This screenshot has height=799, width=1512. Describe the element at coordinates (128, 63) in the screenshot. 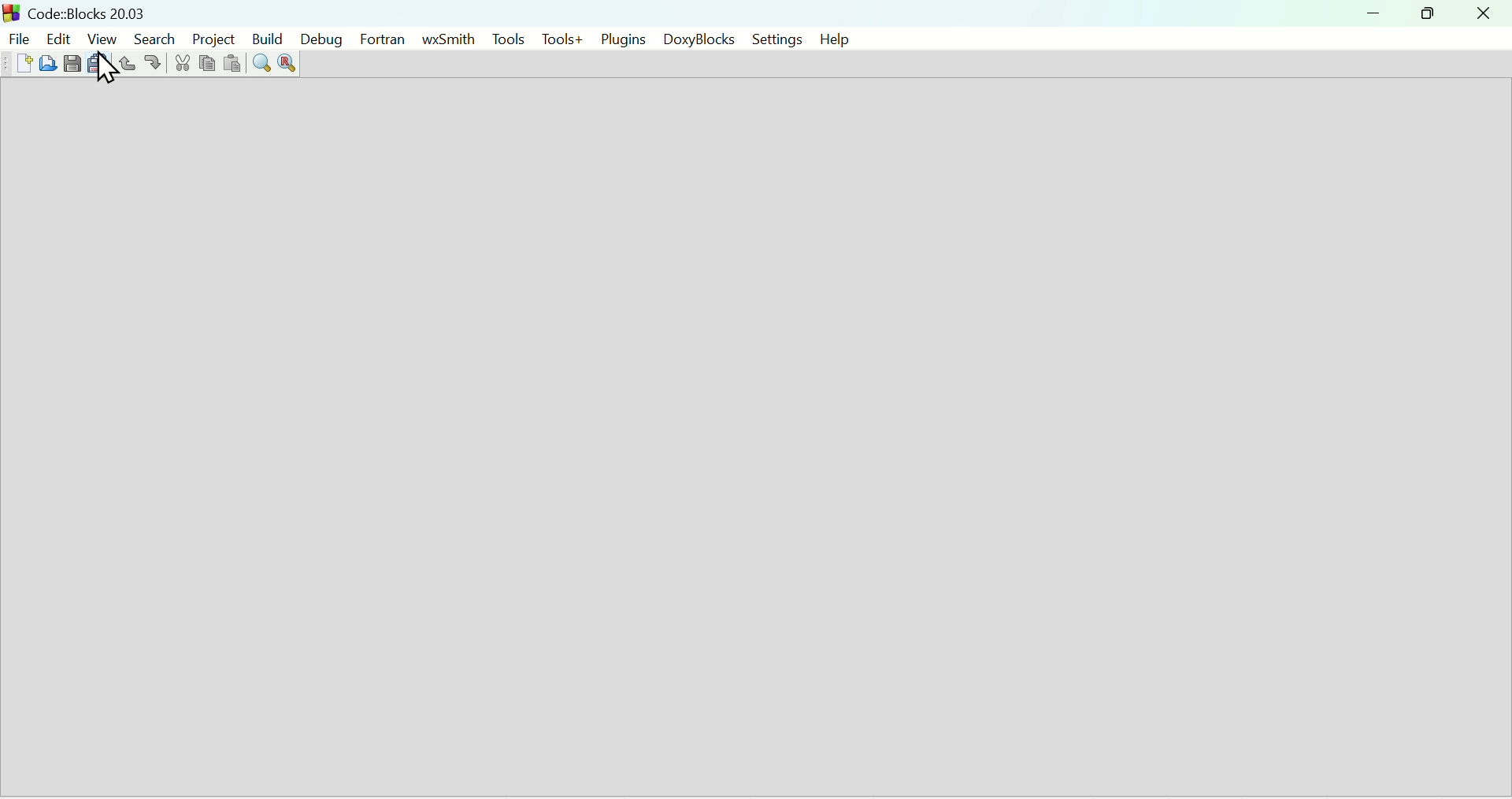

I see `Undo` at that location.